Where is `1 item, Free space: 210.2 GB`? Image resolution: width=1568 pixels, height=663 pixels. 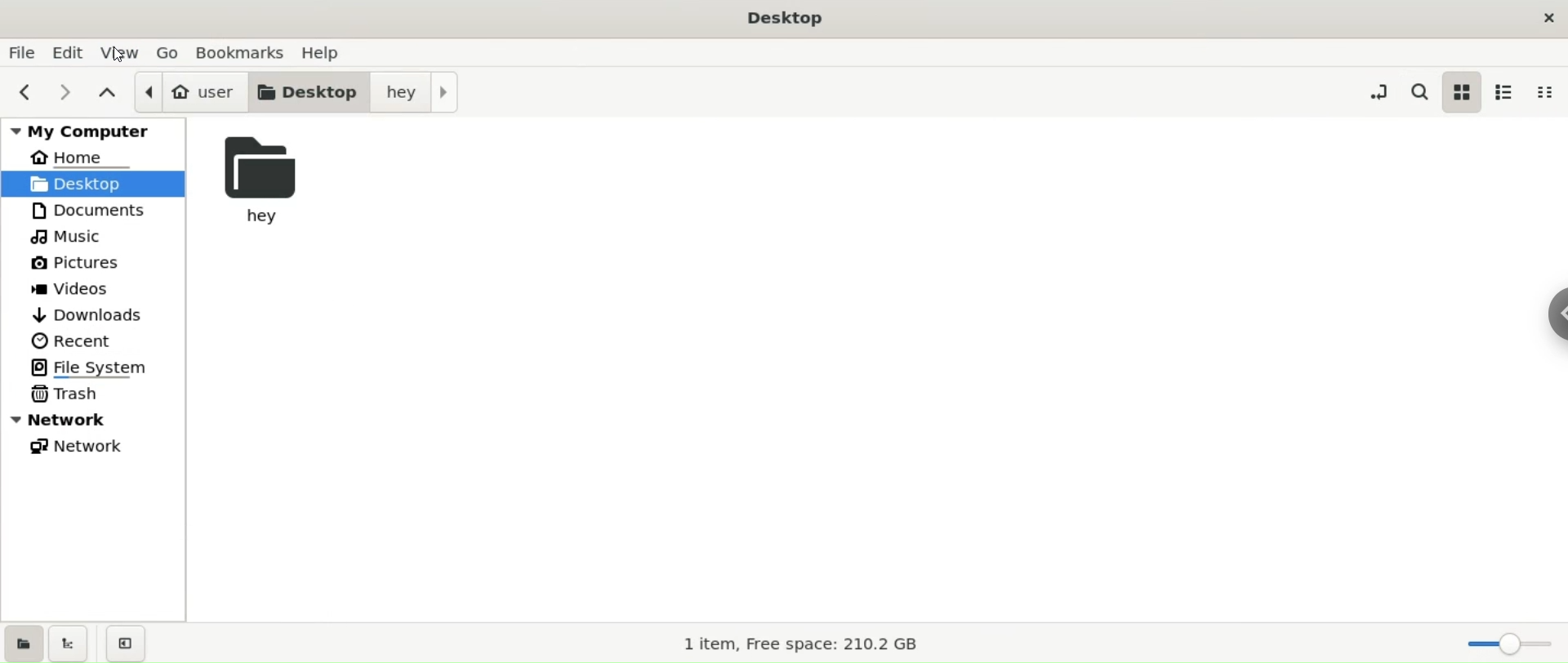
1 item, Free space: 210.2 GB is located at coordinates (807, 645).